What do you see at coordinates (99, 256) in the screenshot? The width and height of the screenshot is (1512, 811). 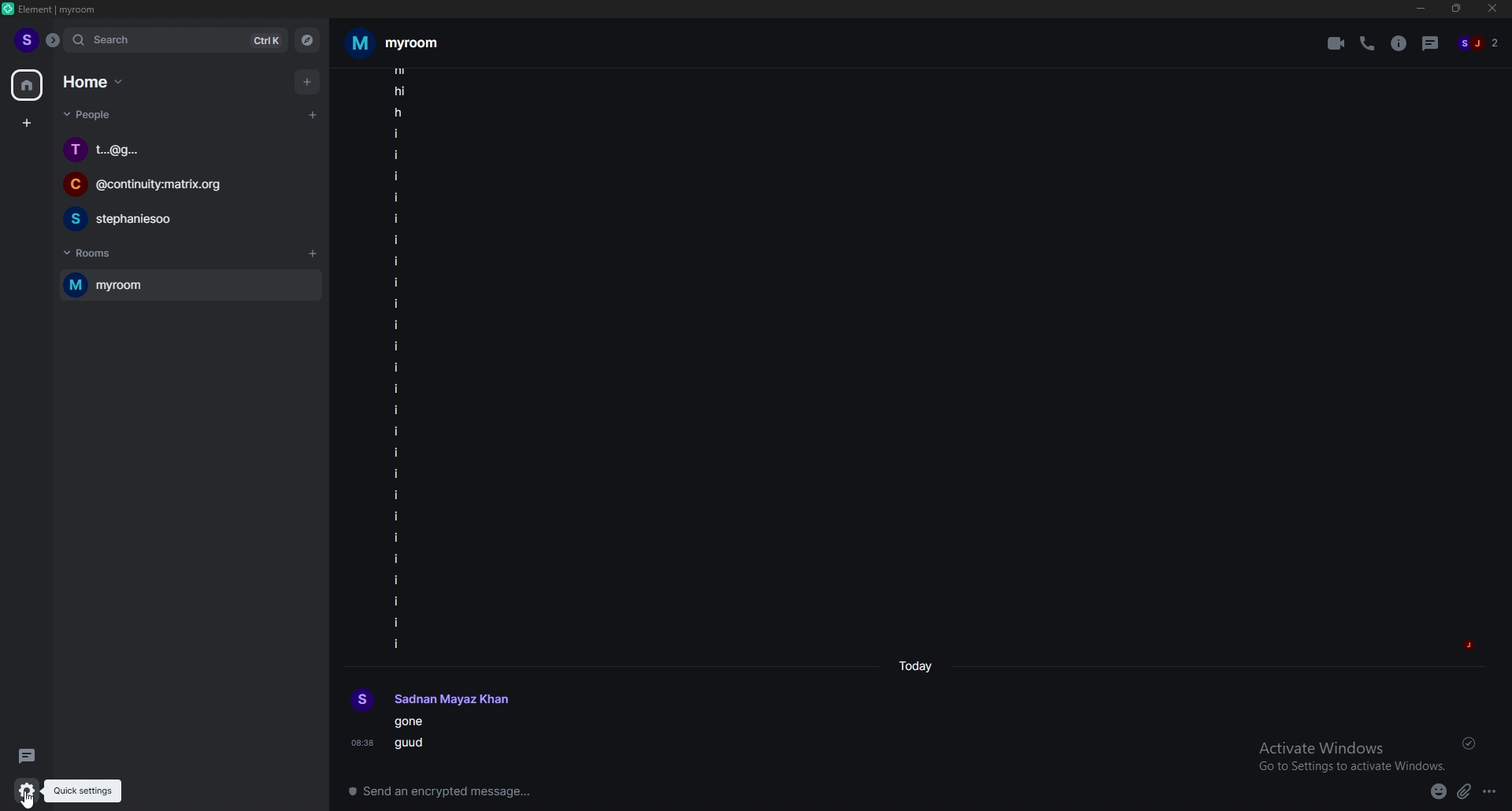 I see `rooms` at bounding box center [99, 256].